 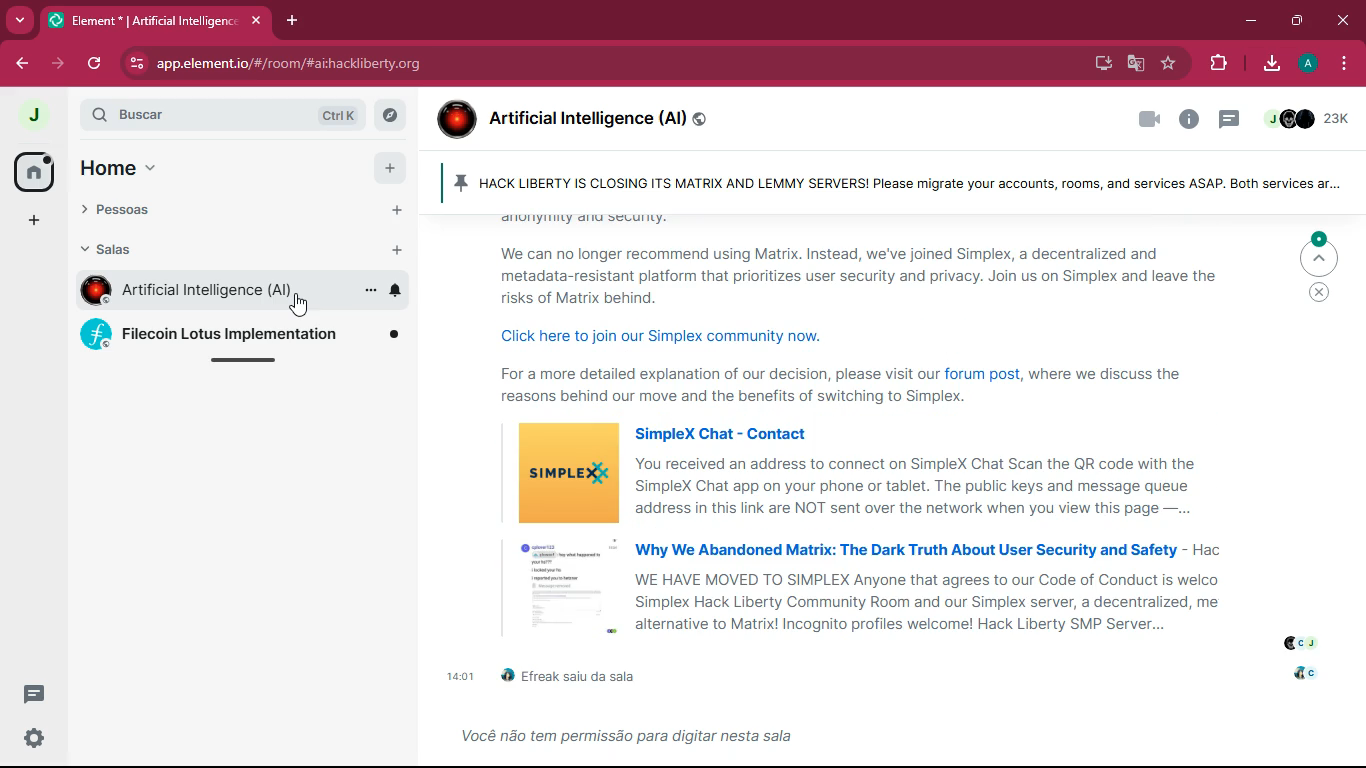 What do you see at coordinates (301, 305) in the screenshot?
I see `cursor on artificial intelligence (AI)` at bounding box center [301, 305].